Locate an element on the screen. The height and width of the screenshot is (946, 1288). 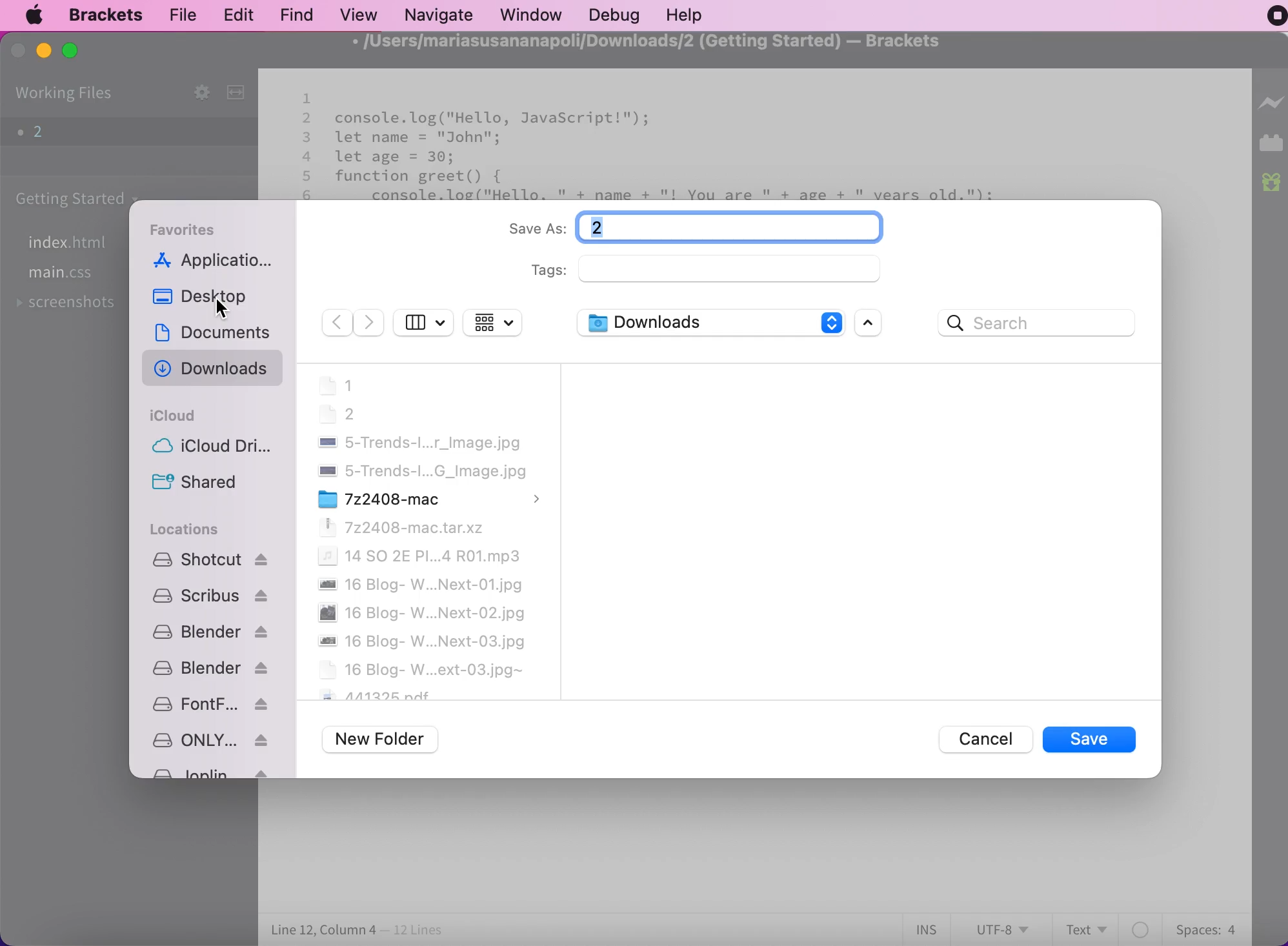
show sidebar is located at coordinates (424, 321).